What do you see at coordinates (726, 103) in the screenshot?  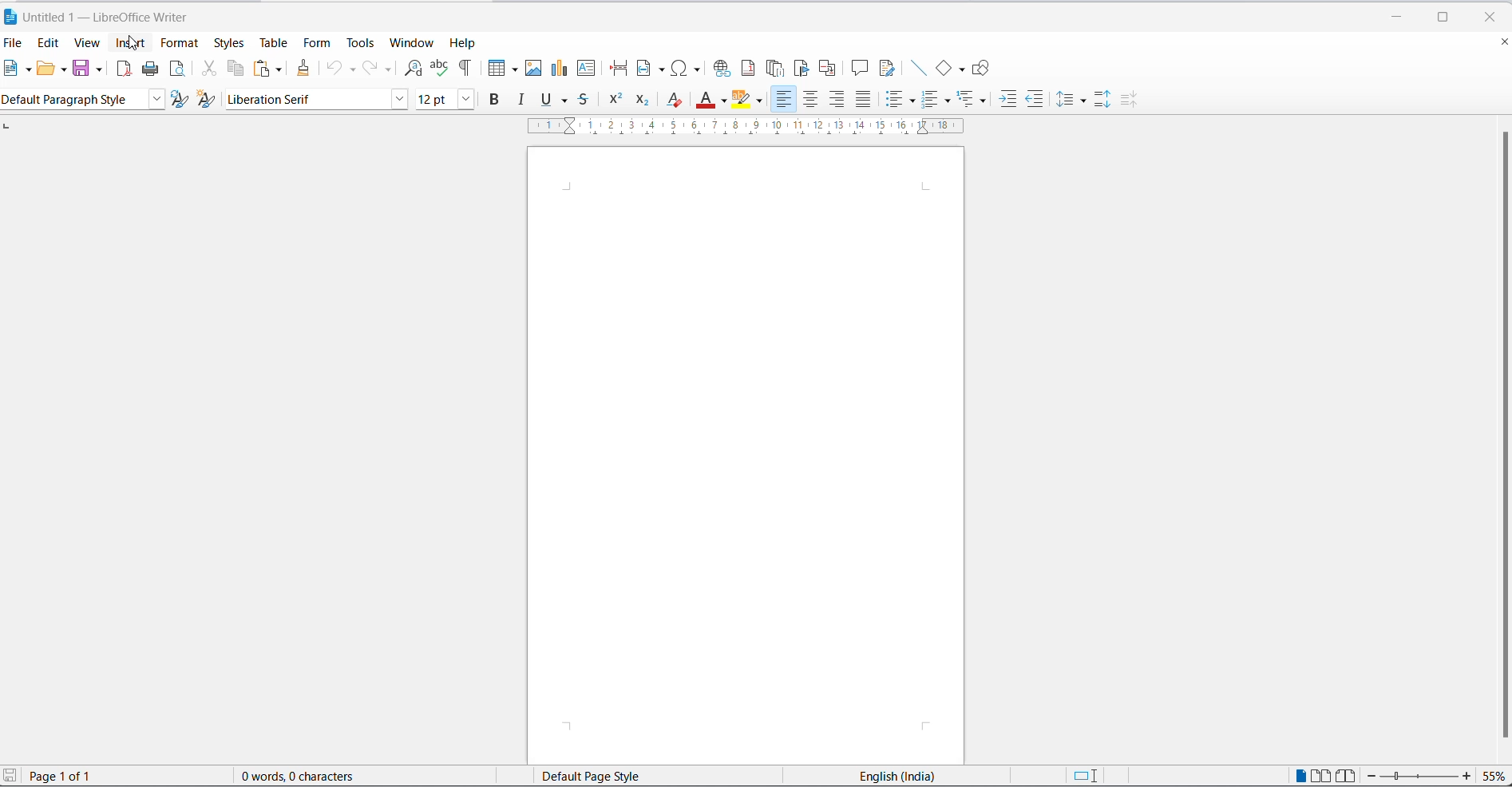 I see `font color options` at bounding box center [726, 103].